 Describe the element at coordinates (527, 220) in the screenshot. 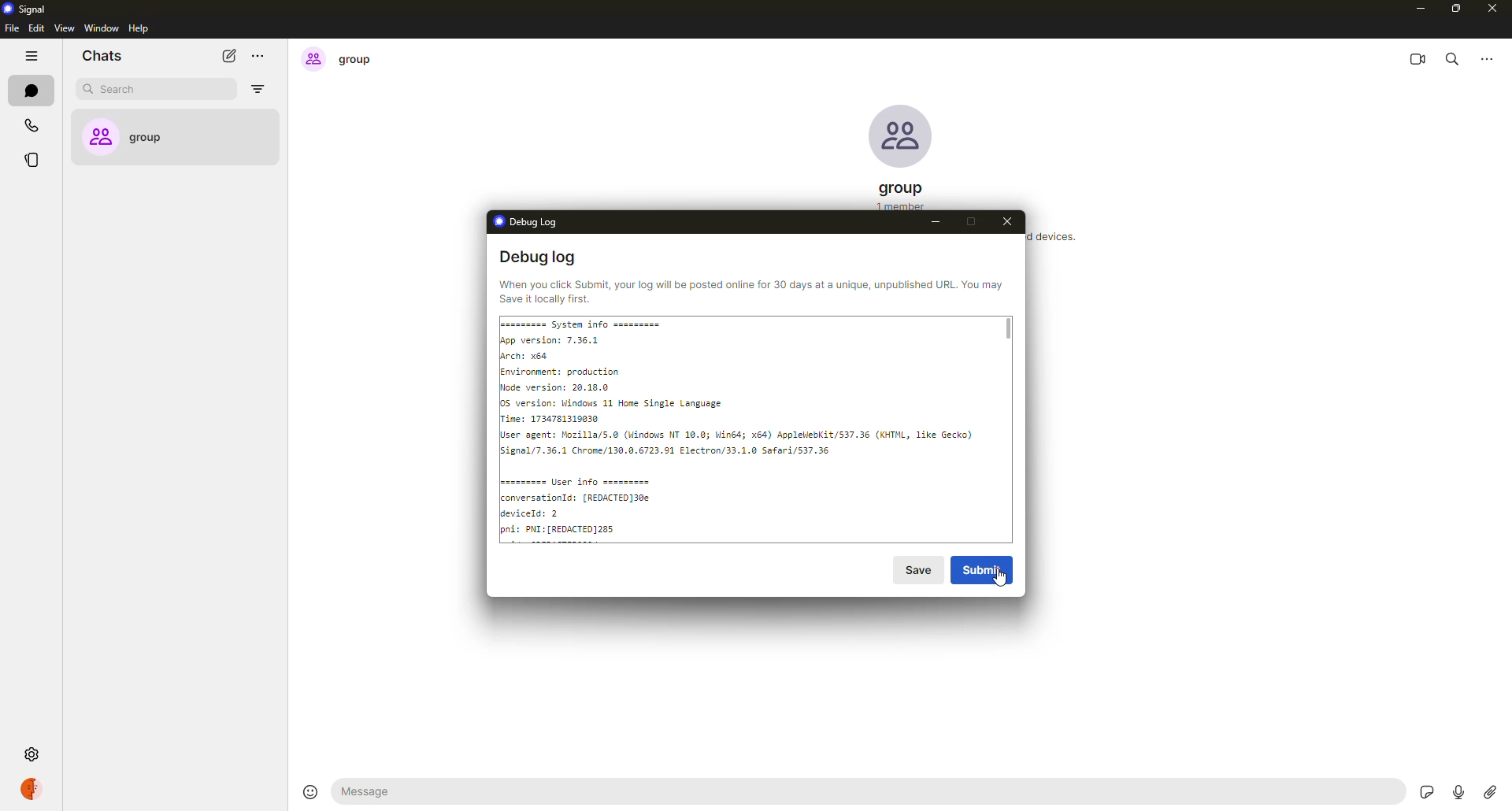

I see `debug log` at that location.